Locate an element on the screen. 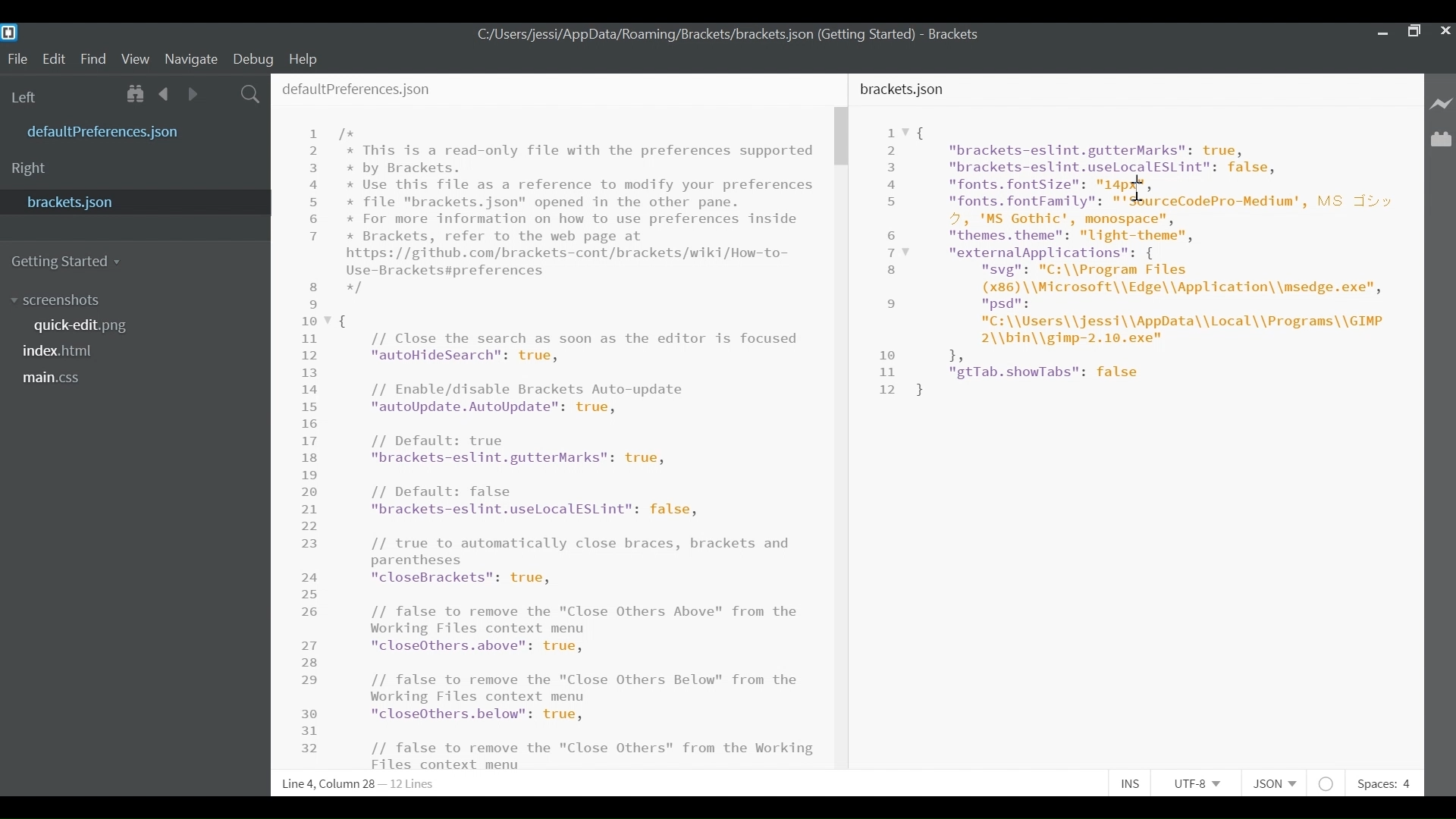  Getting Started is located at coordinates (69, 259).